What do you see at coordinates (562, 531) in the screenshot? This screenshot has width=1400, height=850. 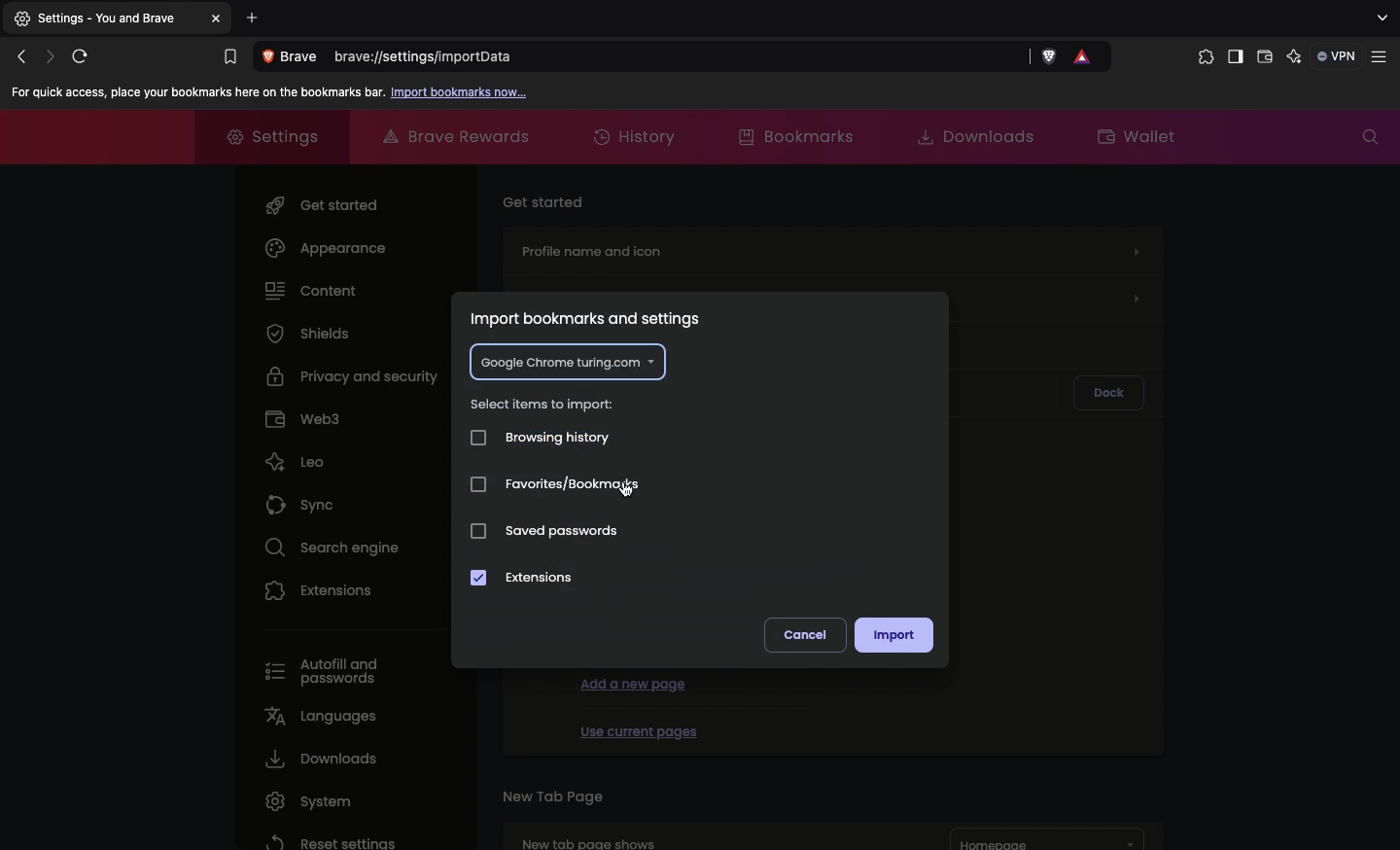 I see `Saved passwords` at bounding box center [562, 531].